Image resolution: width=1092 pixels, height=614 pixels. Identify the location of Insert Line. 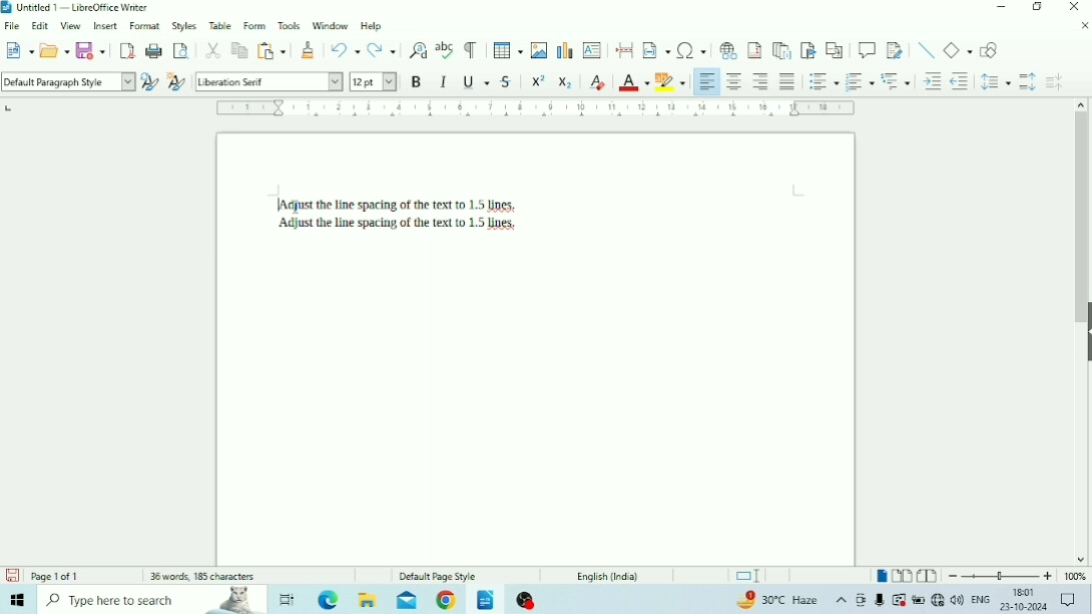
(925, 50).